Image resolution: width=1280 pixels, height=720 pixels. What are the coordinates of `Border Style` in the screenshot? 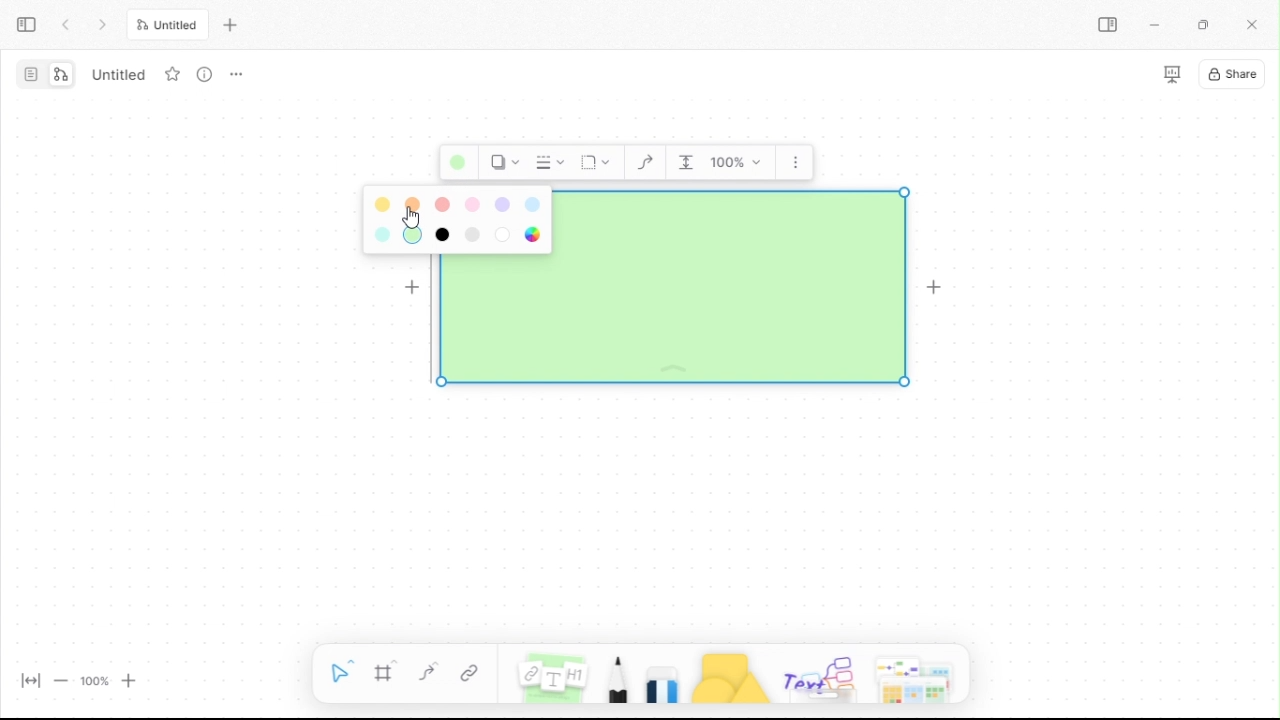 It's located at (548, 163).